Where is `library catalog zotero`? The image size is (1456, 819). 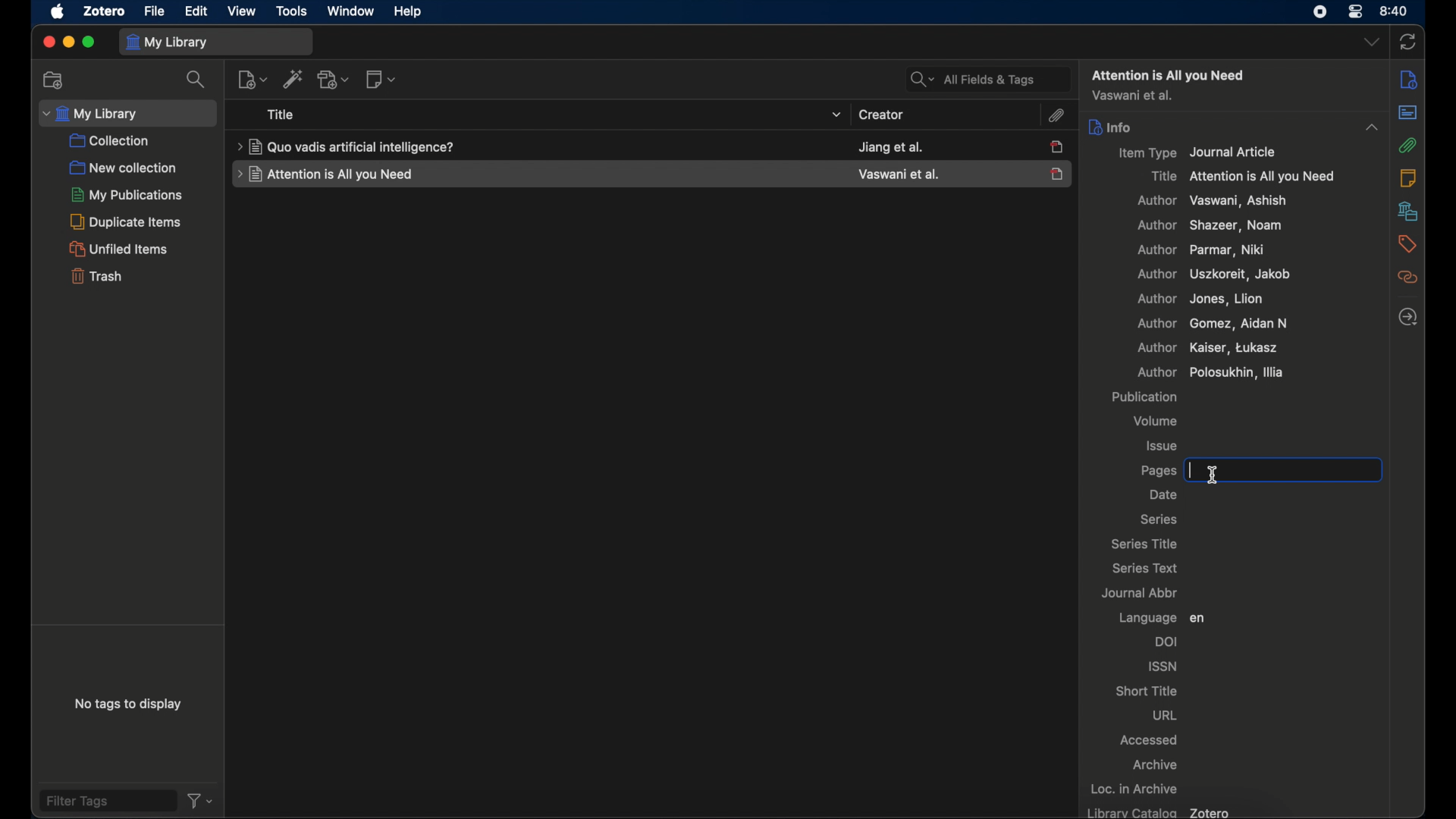 library catalog zotero is located at coordinates (1160, 811).